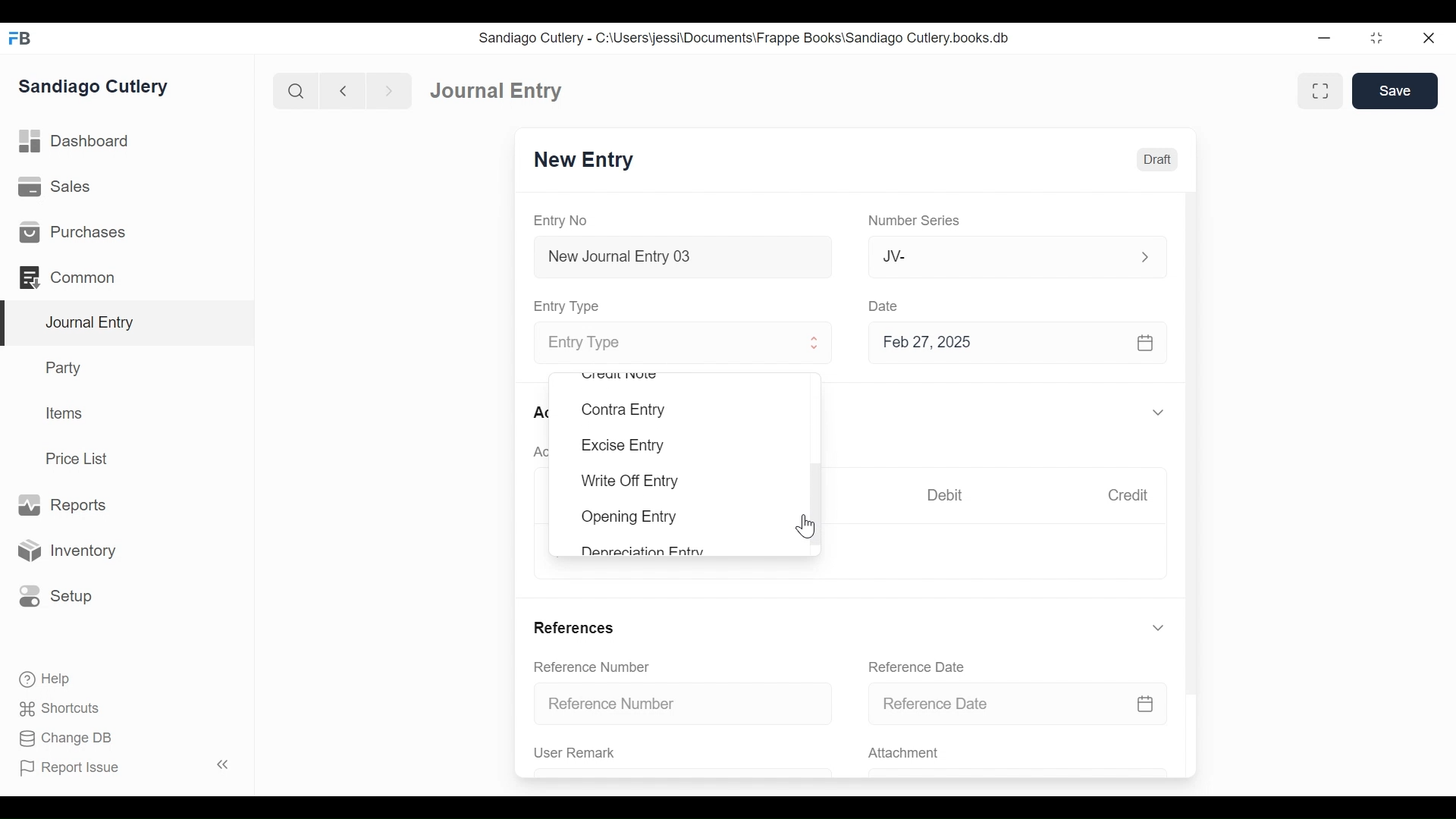 The width and height of the screenshot is (1456, 819). I want to click on Expand, so click(816, 344).